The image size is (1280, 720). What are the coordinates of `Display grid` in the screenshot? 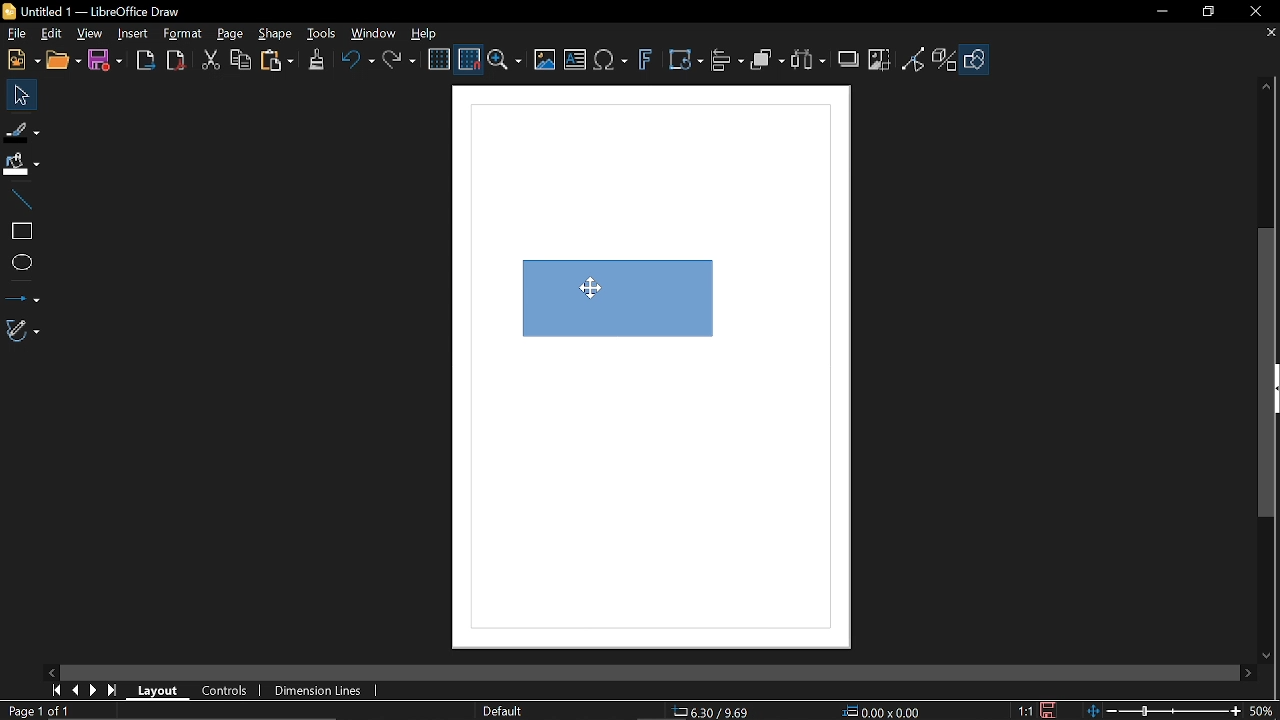 It's located at (439, 61).